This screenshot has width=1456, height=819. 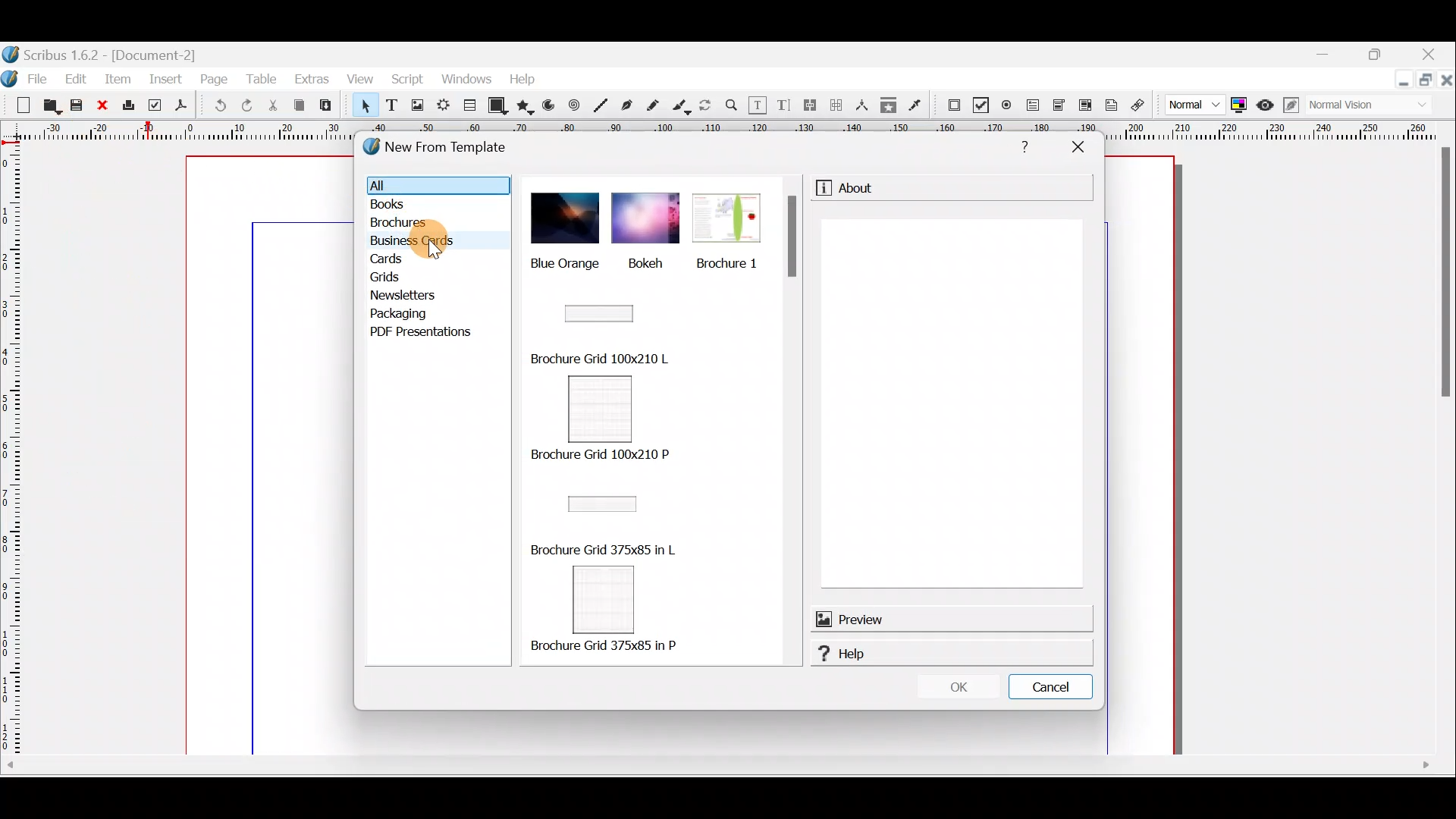 I want to click on Render frame, so click(x=443, y=108).